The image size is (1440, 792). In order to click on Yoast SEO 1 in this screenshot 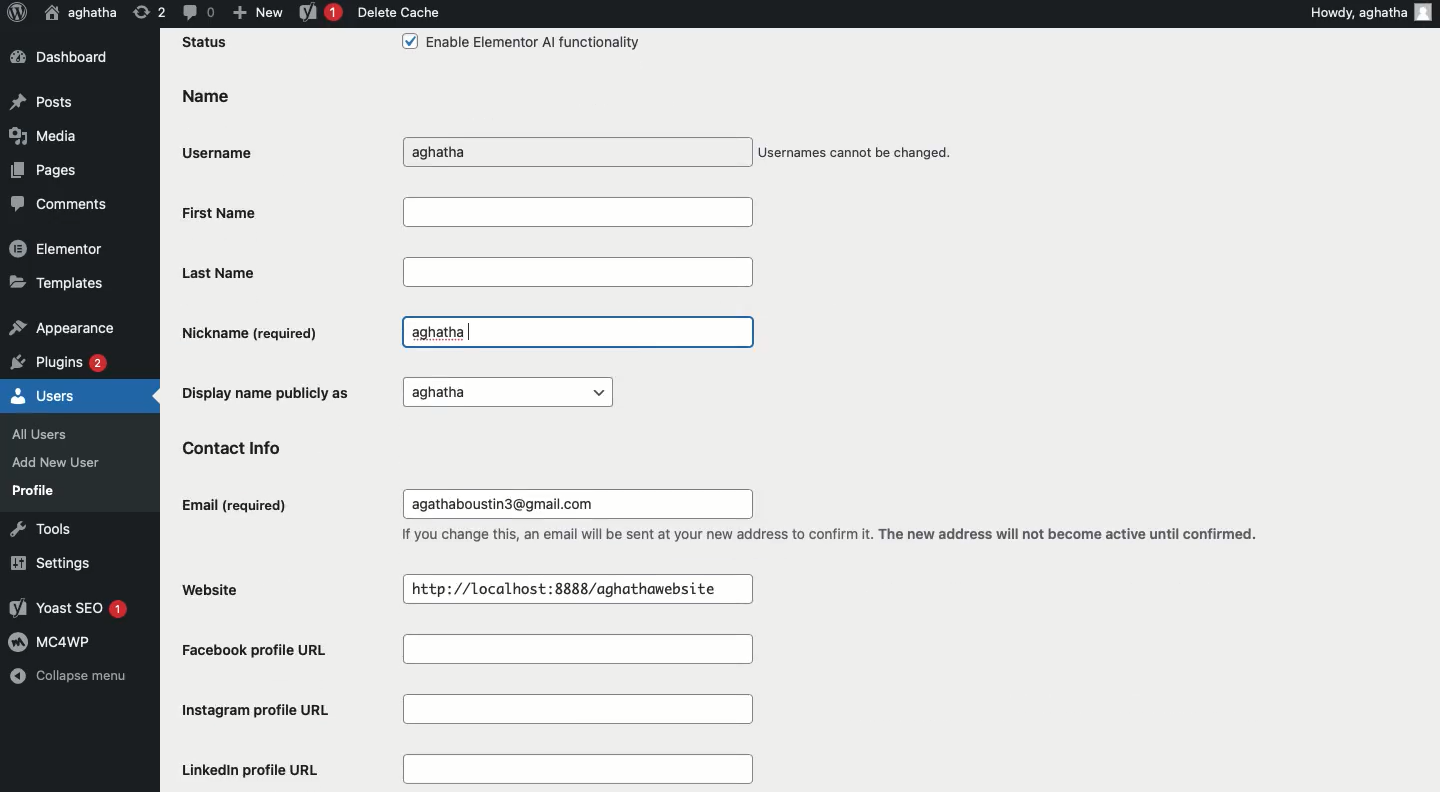, I will do `click(72, 609)`.